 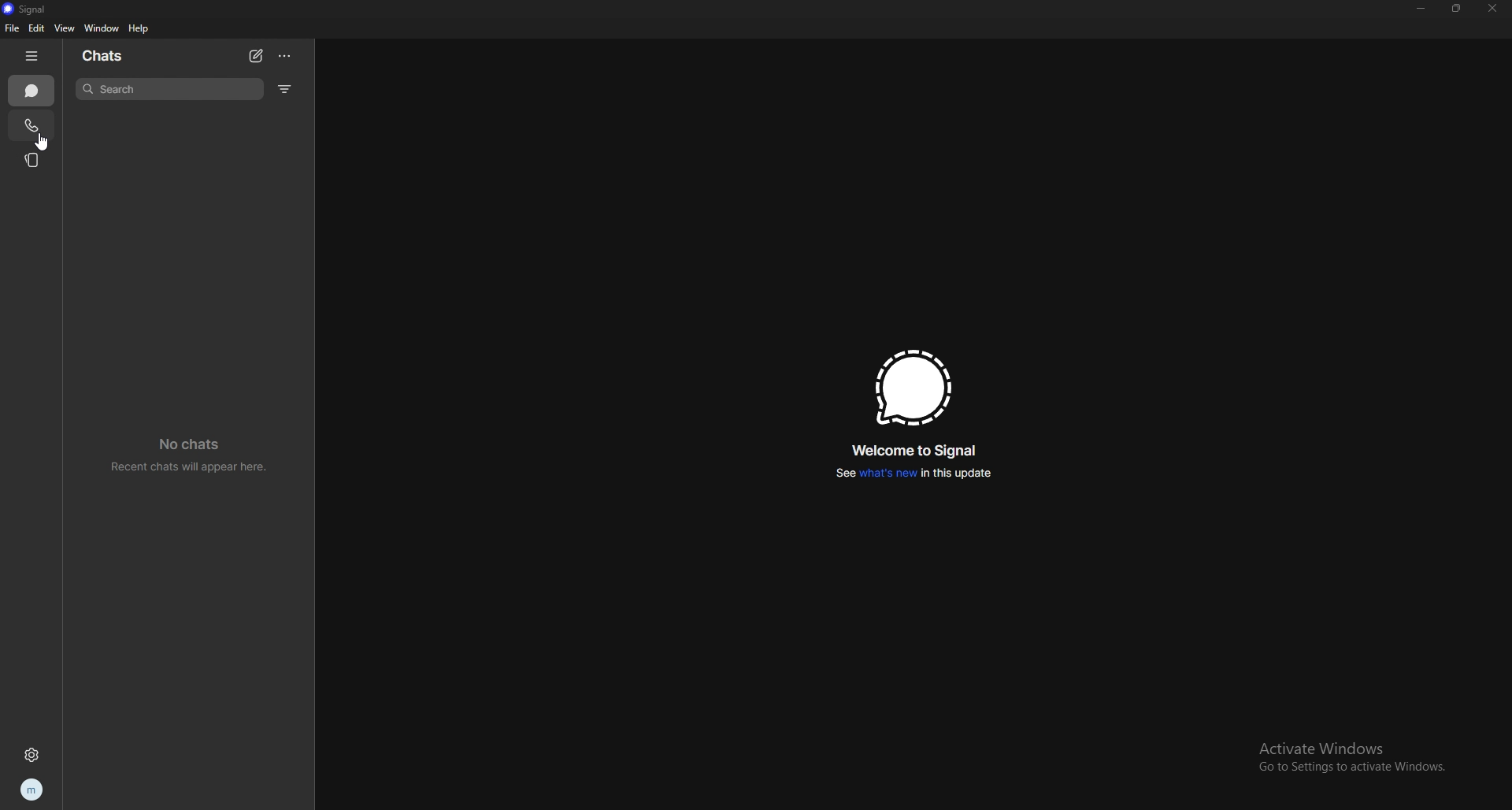 I want to click on view, so click(x=65, y=28).